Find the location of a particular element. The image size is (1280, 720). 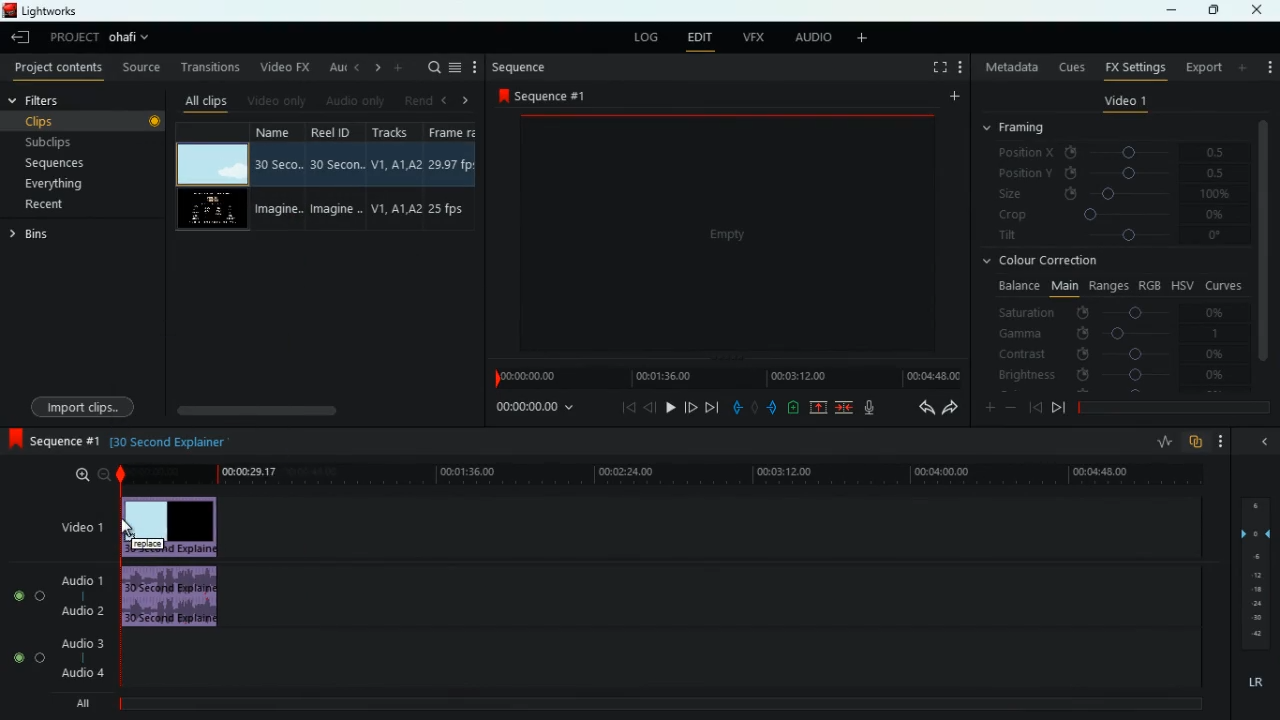

lightworks is located at coordinates (63, 13).